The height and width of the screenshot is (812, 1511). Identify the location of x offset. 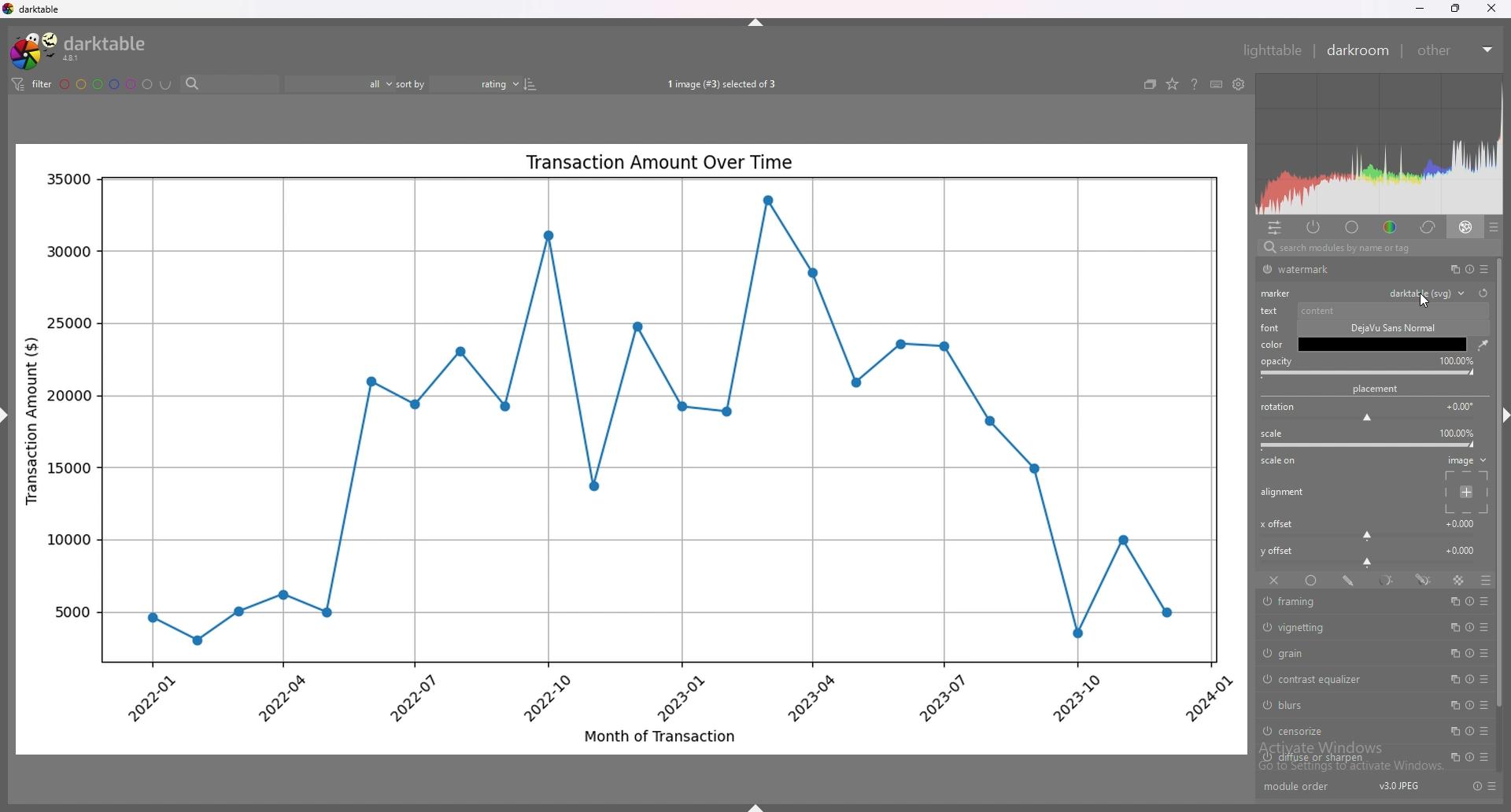
(1276, 524).